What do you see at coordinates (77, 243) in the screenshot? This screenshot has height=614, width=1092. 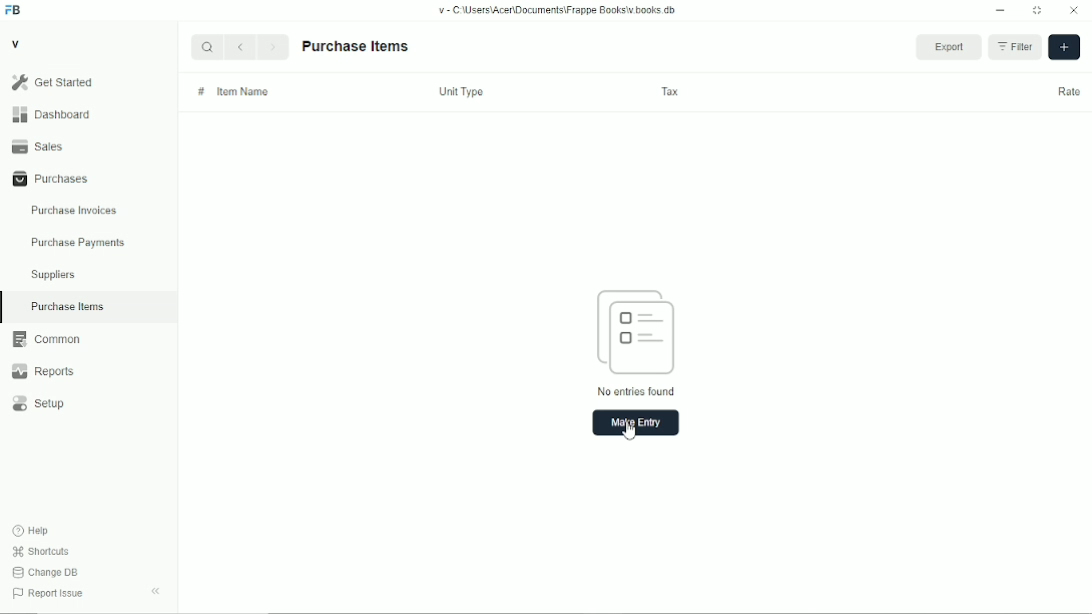 I see `purchase payments` at bounding box center [77, 243].